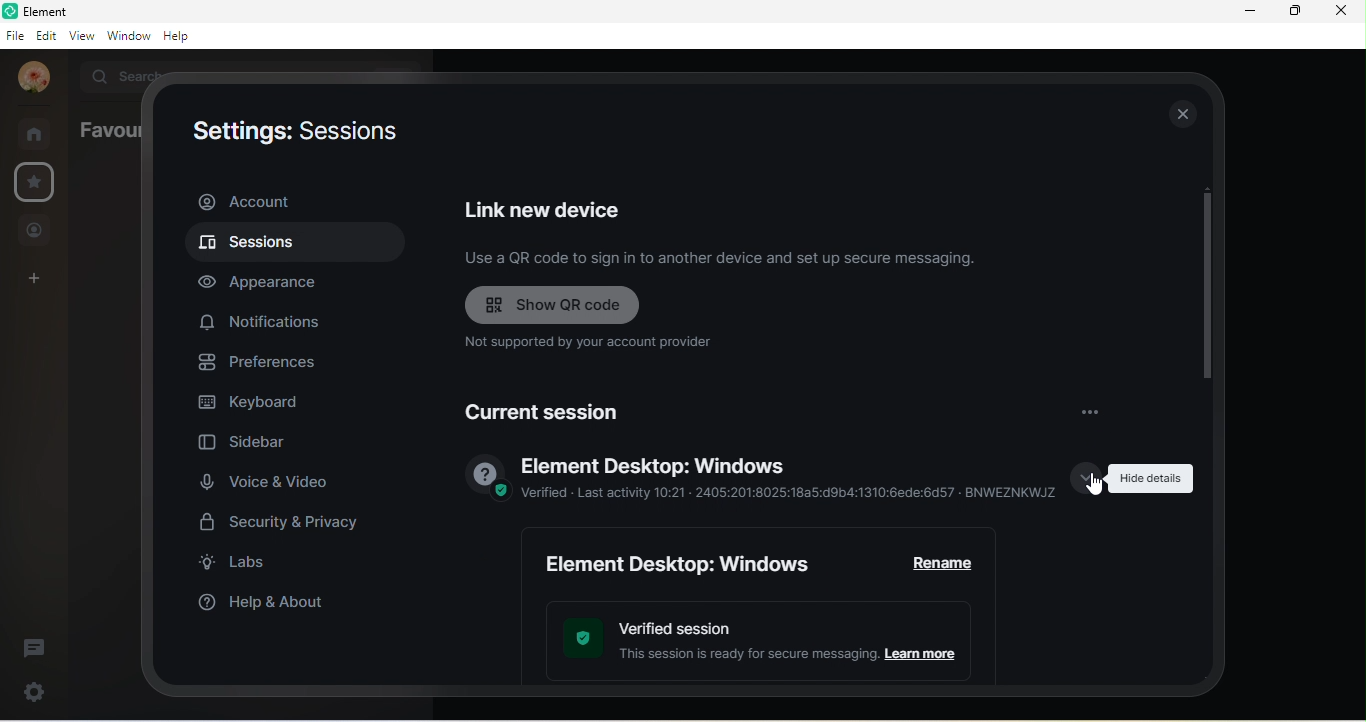  Describe the element at coordinates (1339, 11) in the screenshot. I see `close` at that location.